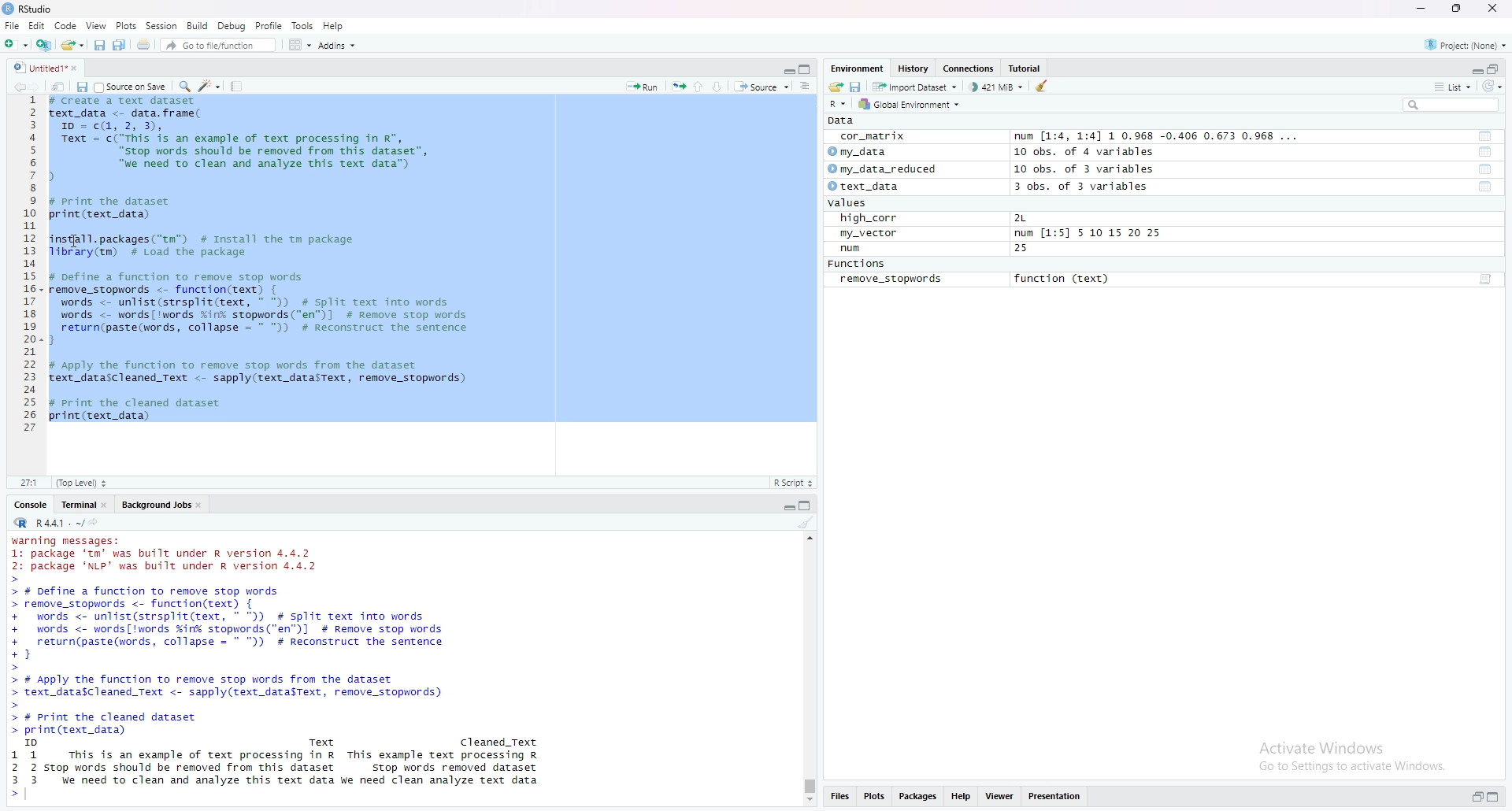  What do you see at coordinates (161, 25) in the screenshot?
I see `session` at bounding box center [161, 25].